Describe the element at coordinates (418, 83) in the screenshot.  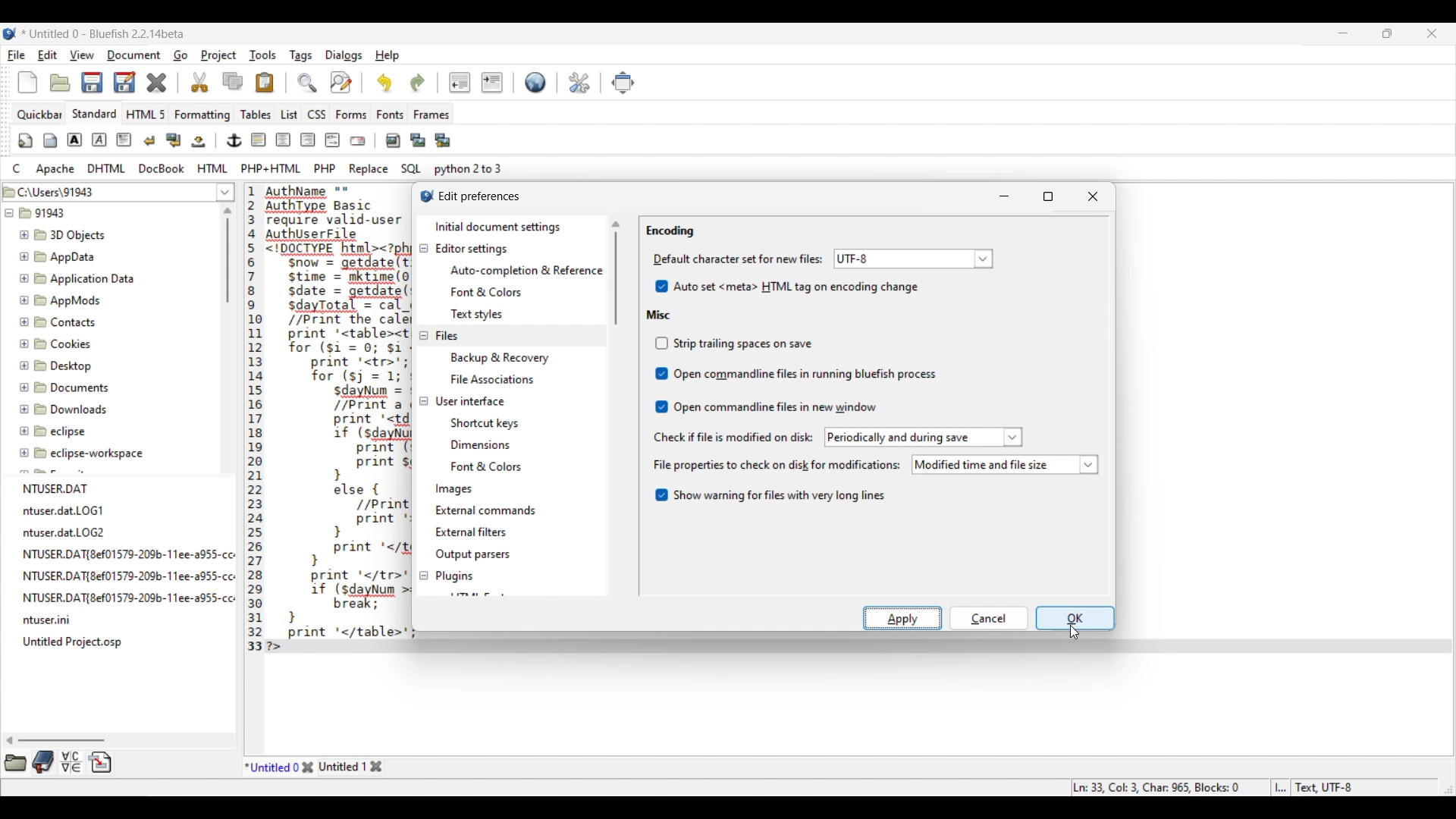
I see `Redo` at that location.